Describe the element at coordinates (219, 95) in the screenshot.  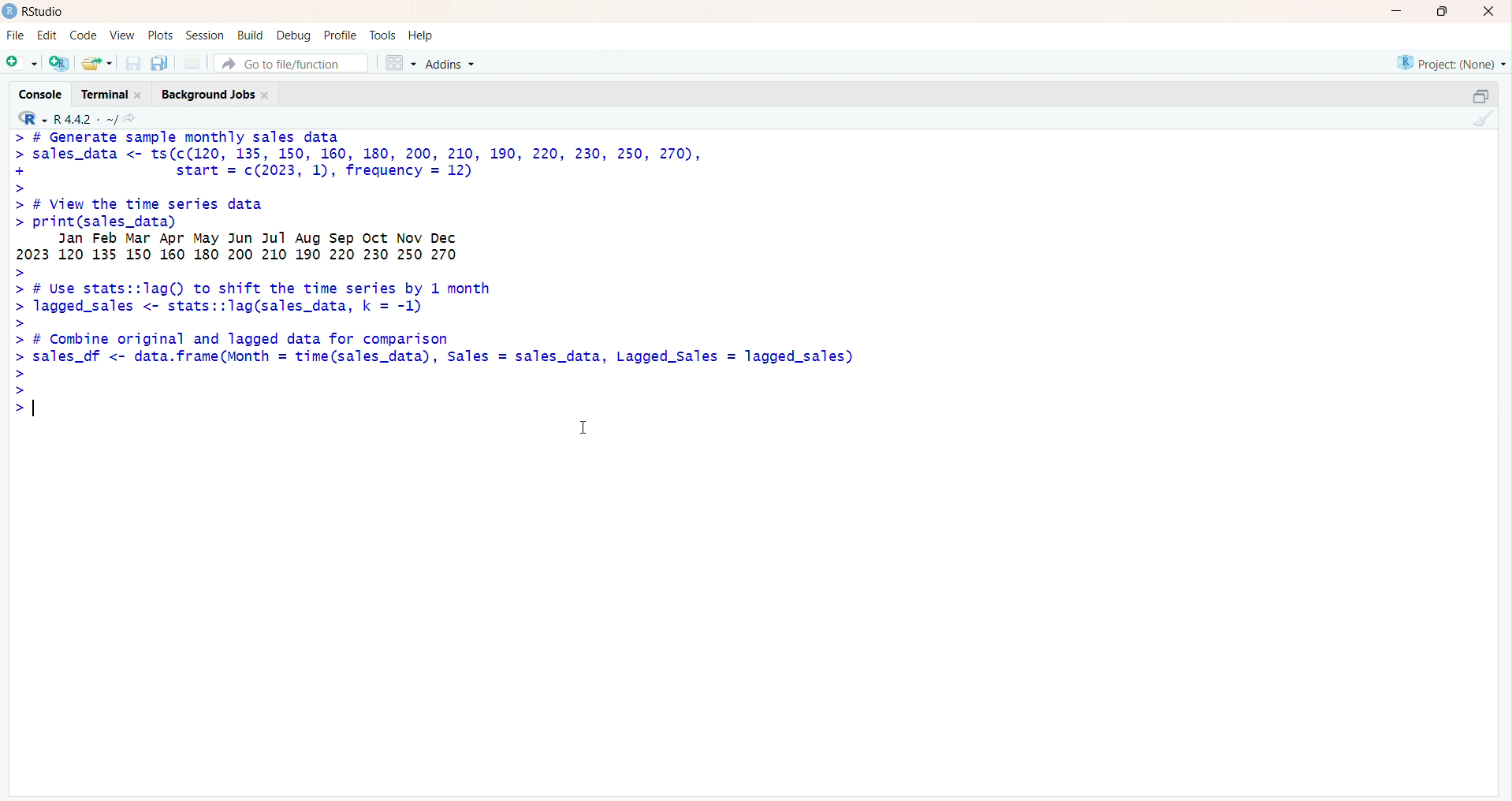
I see `background jobs` at that location.